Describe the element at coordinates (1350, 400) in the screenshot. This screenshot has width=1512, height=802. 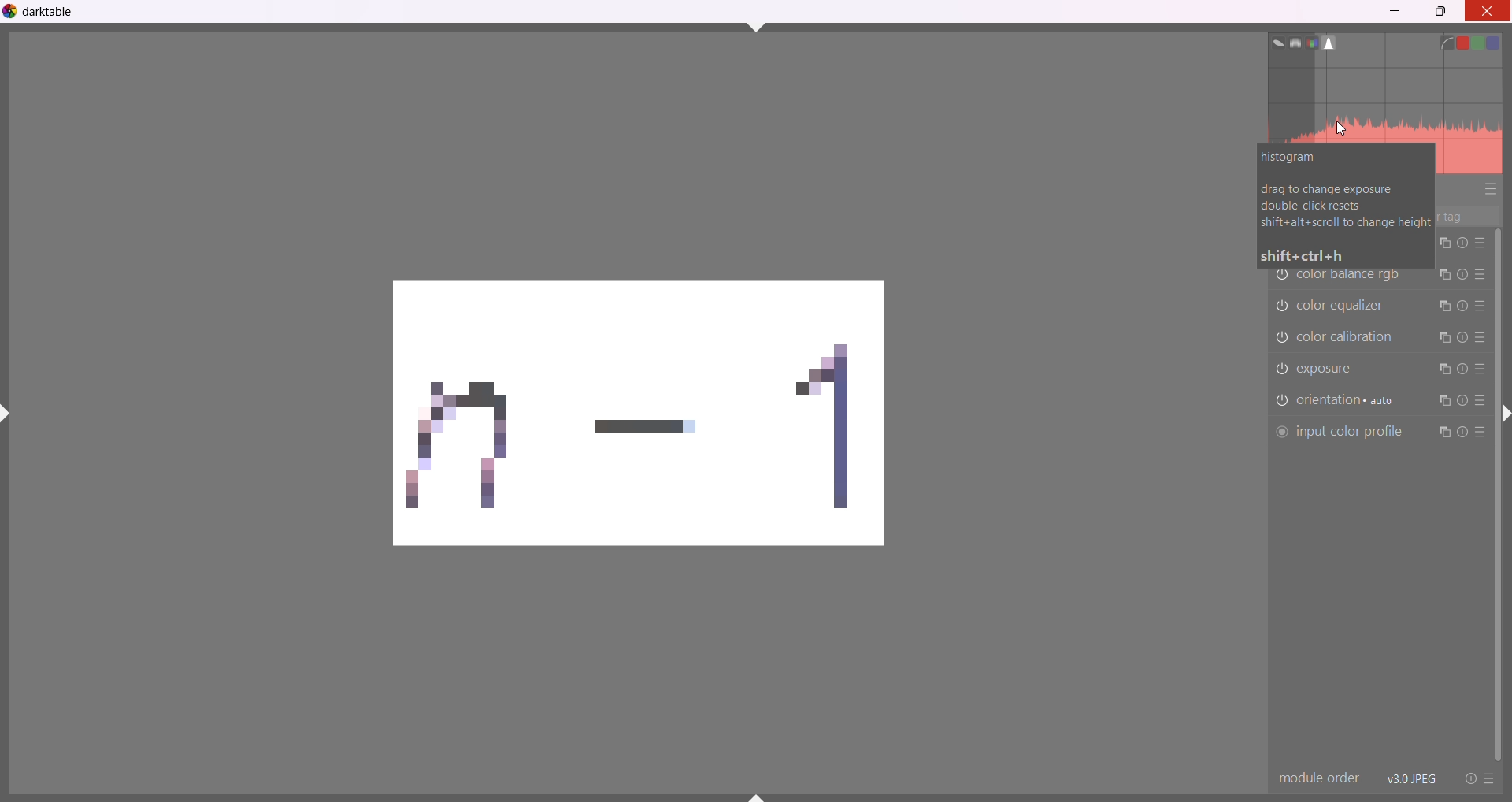
I see `orientation` at that location.